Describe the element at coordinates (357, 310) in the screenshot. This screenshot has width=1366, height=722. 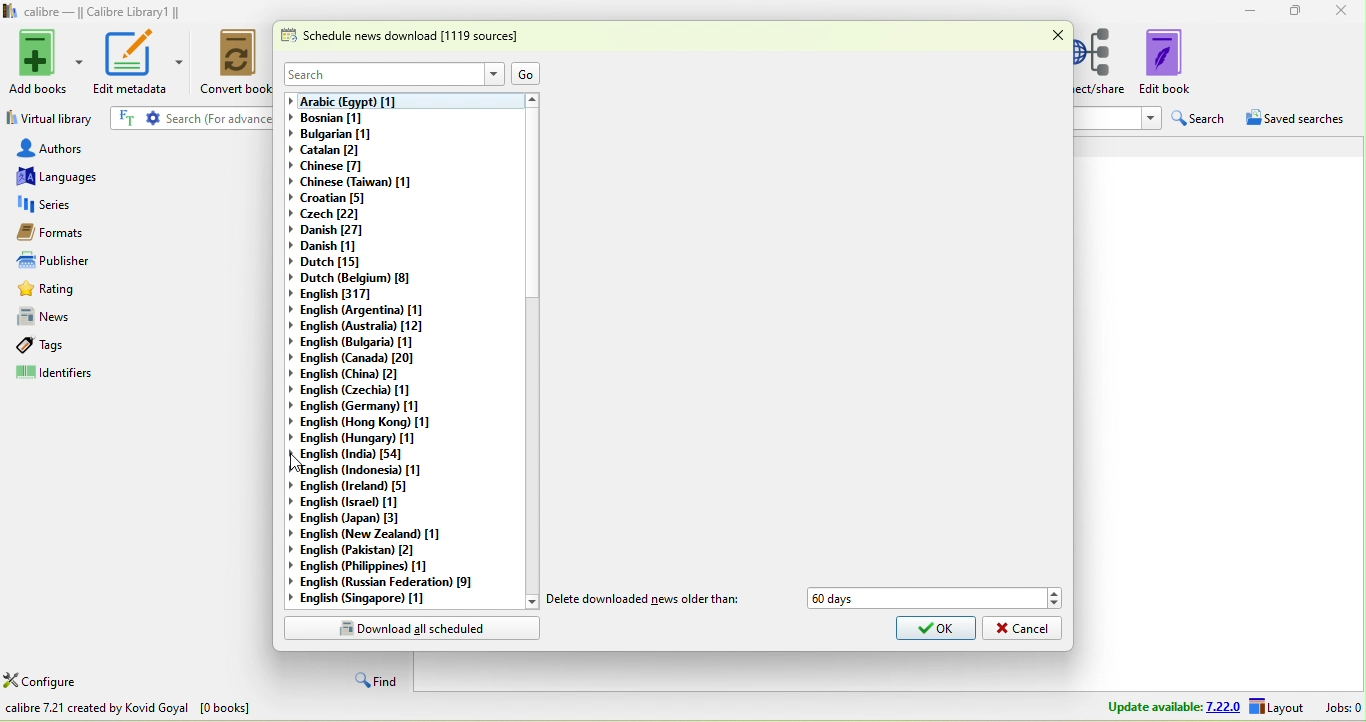
I see `english (argentina)[1]` at that location.